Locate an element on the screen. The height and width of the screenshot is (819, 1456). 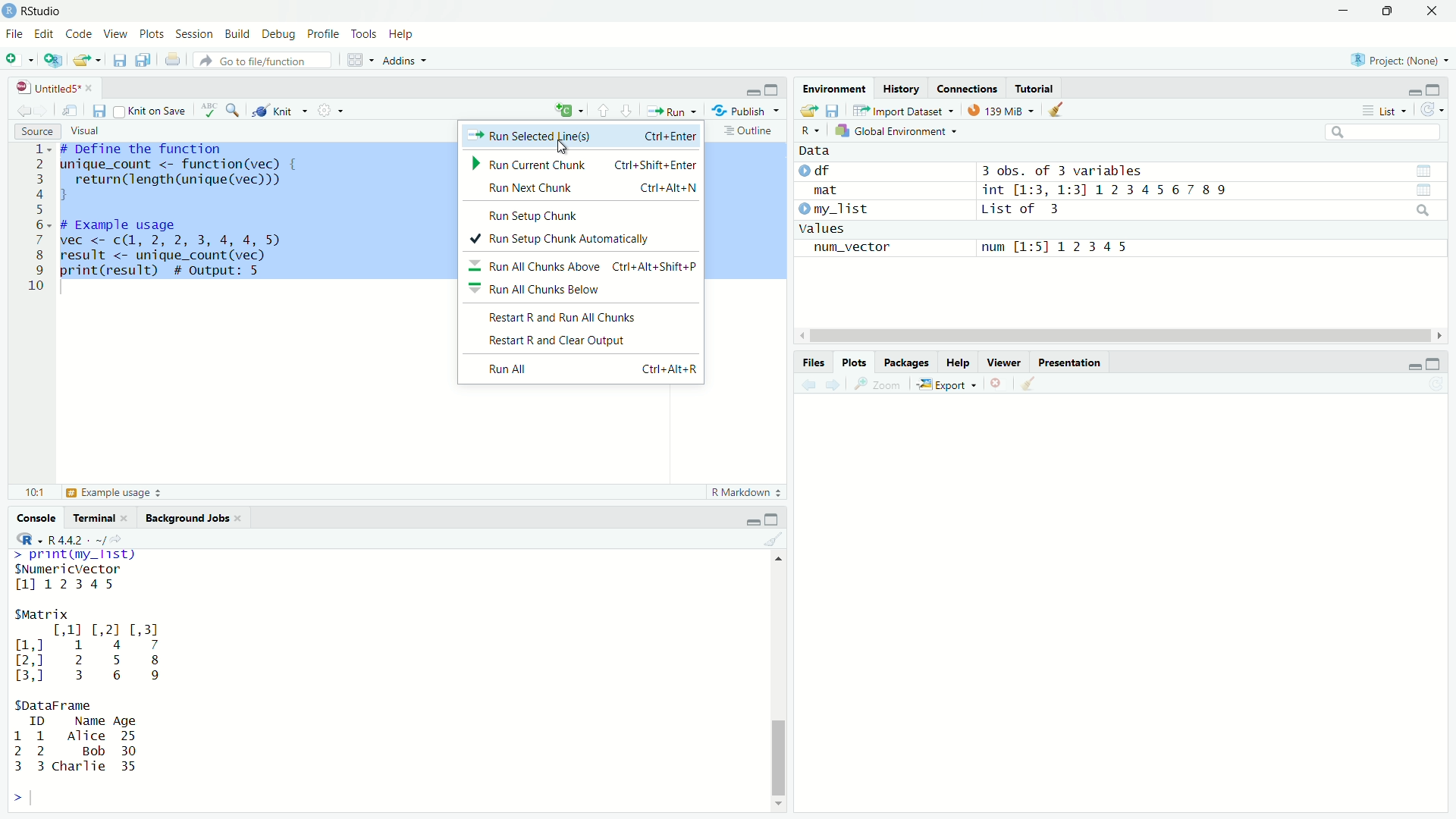
Addins is located at coordinates (403, 61).